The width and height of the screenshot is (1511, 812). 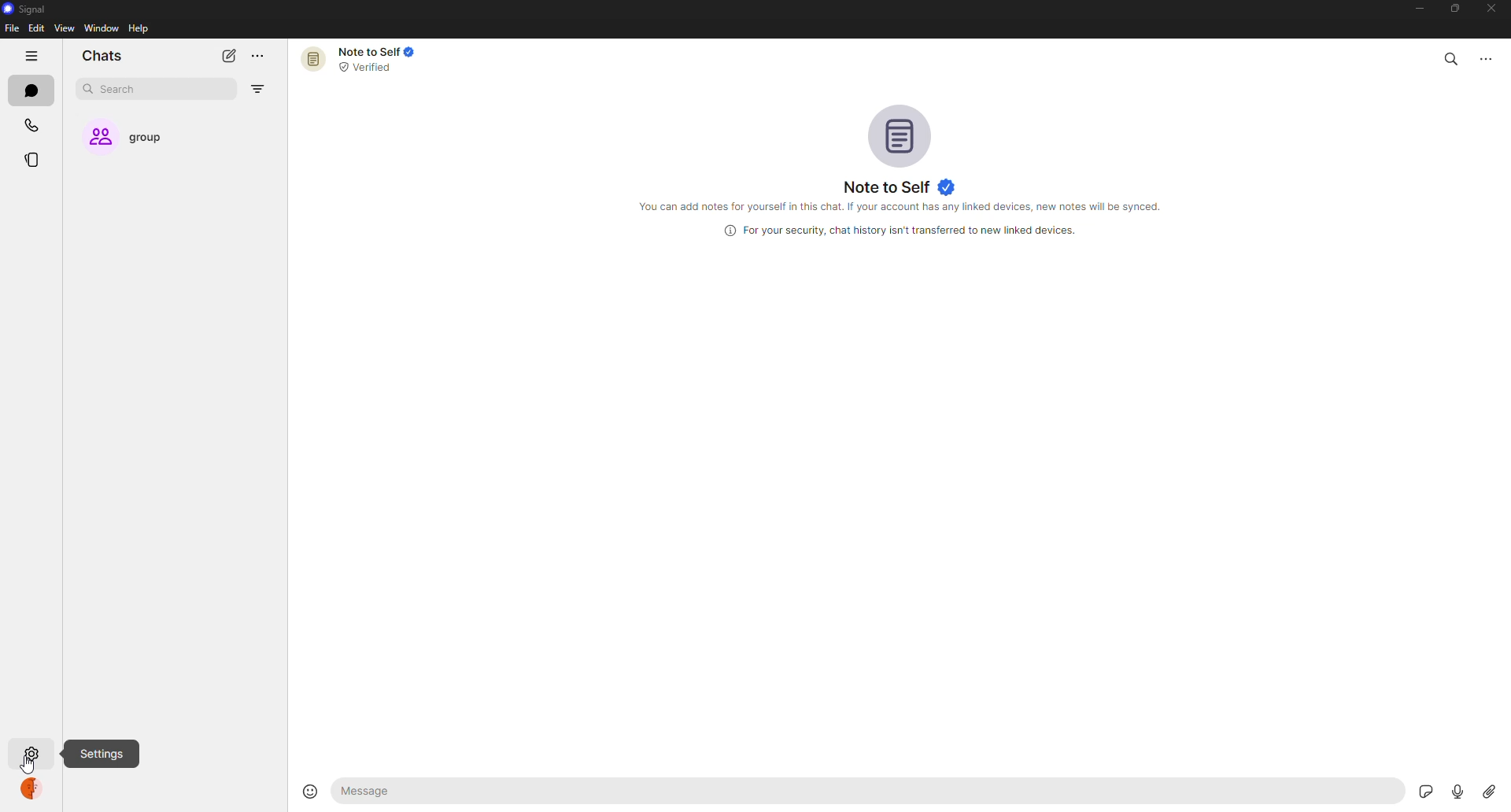 What do you see at coordinates (27, 767) in the screenshot?
I see `cursor` at bounding box center [27, 767].